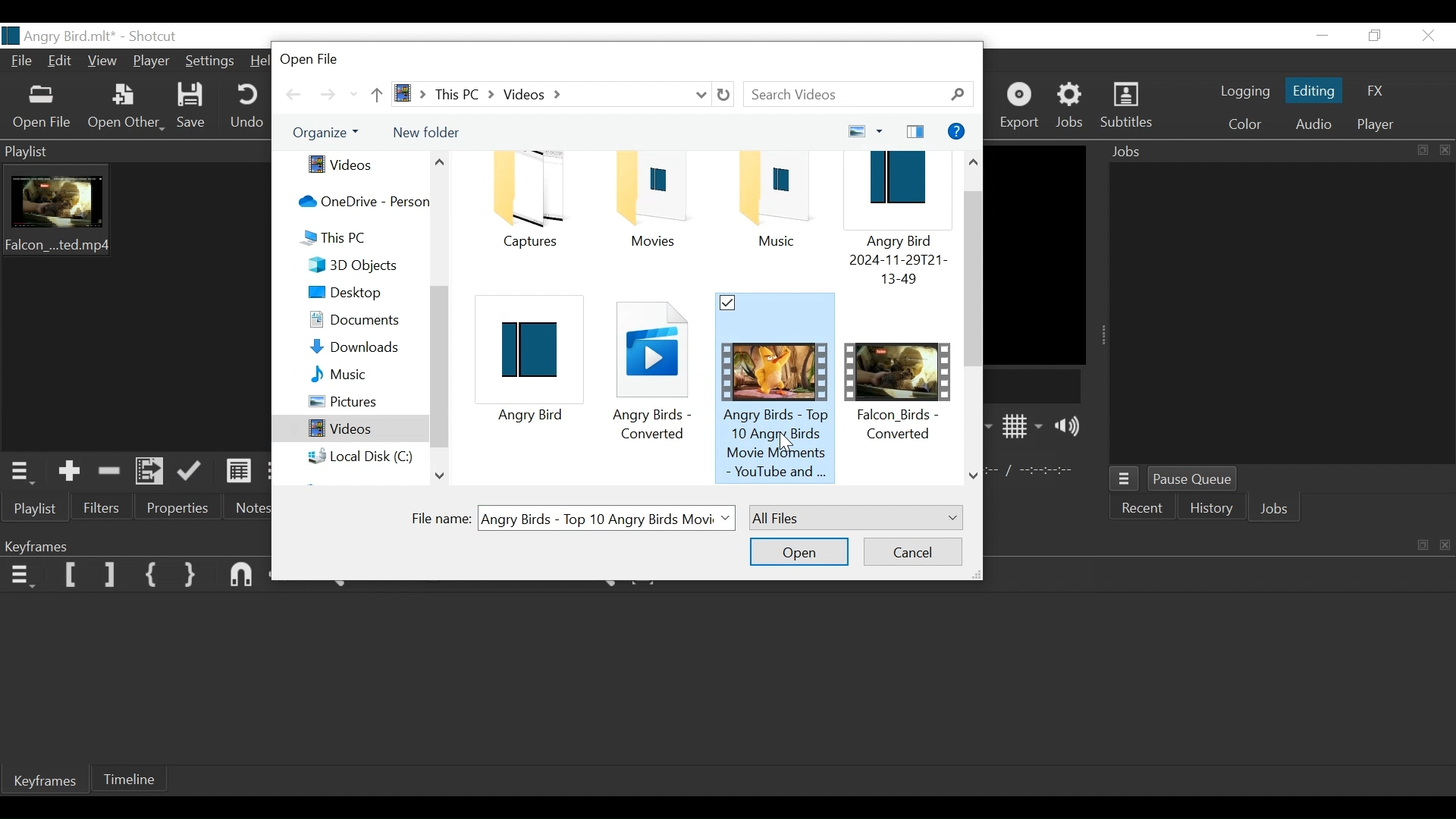  What do you see at coordinates (110, 471) in the screenshot?
I see `Remove cut` at bounding box center [110, 471].